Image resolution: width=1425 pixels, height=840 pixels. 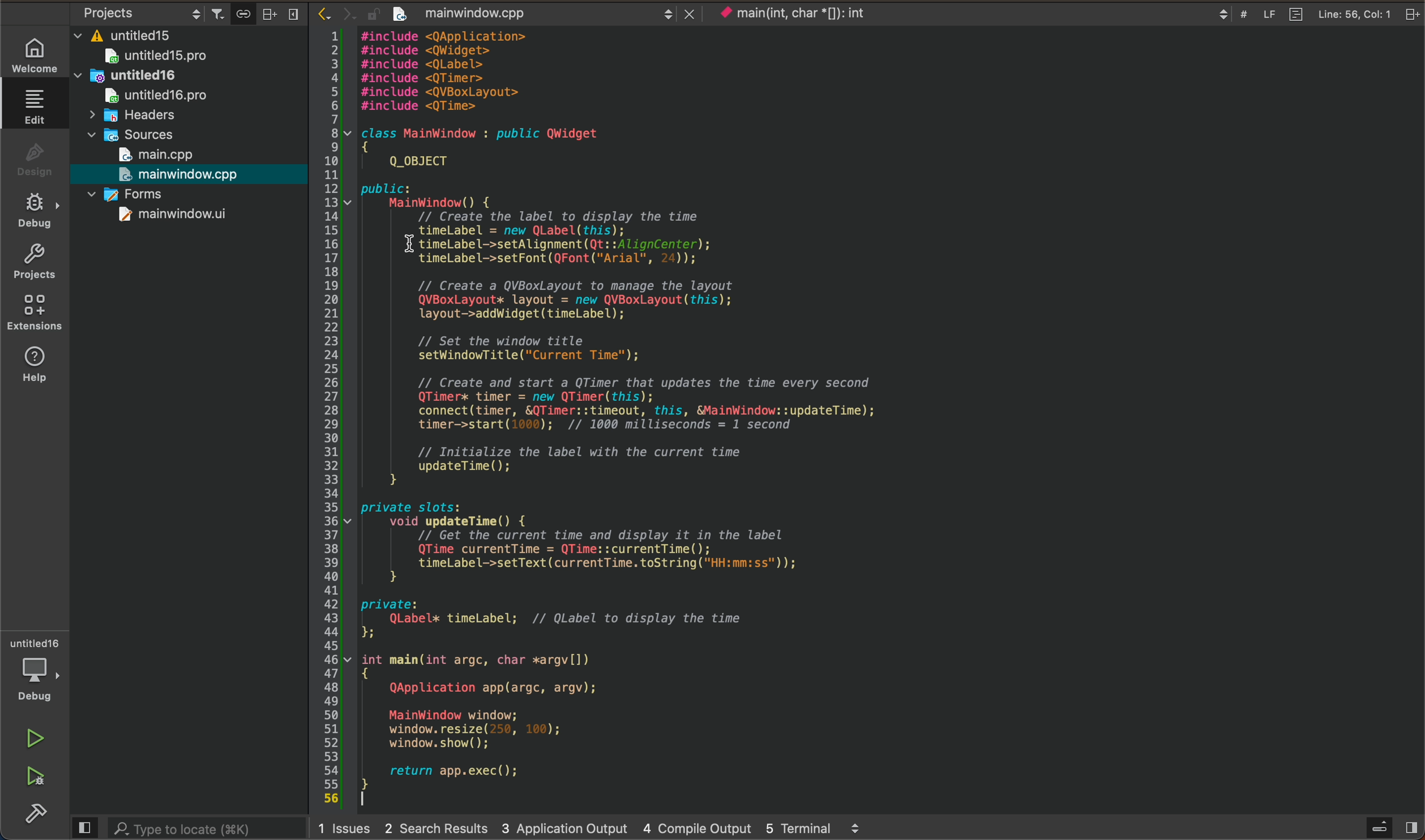 What do you see at coordinates (1262, 14) in the screenshot?
I see `# LF` at bounding box center [1262, 14].